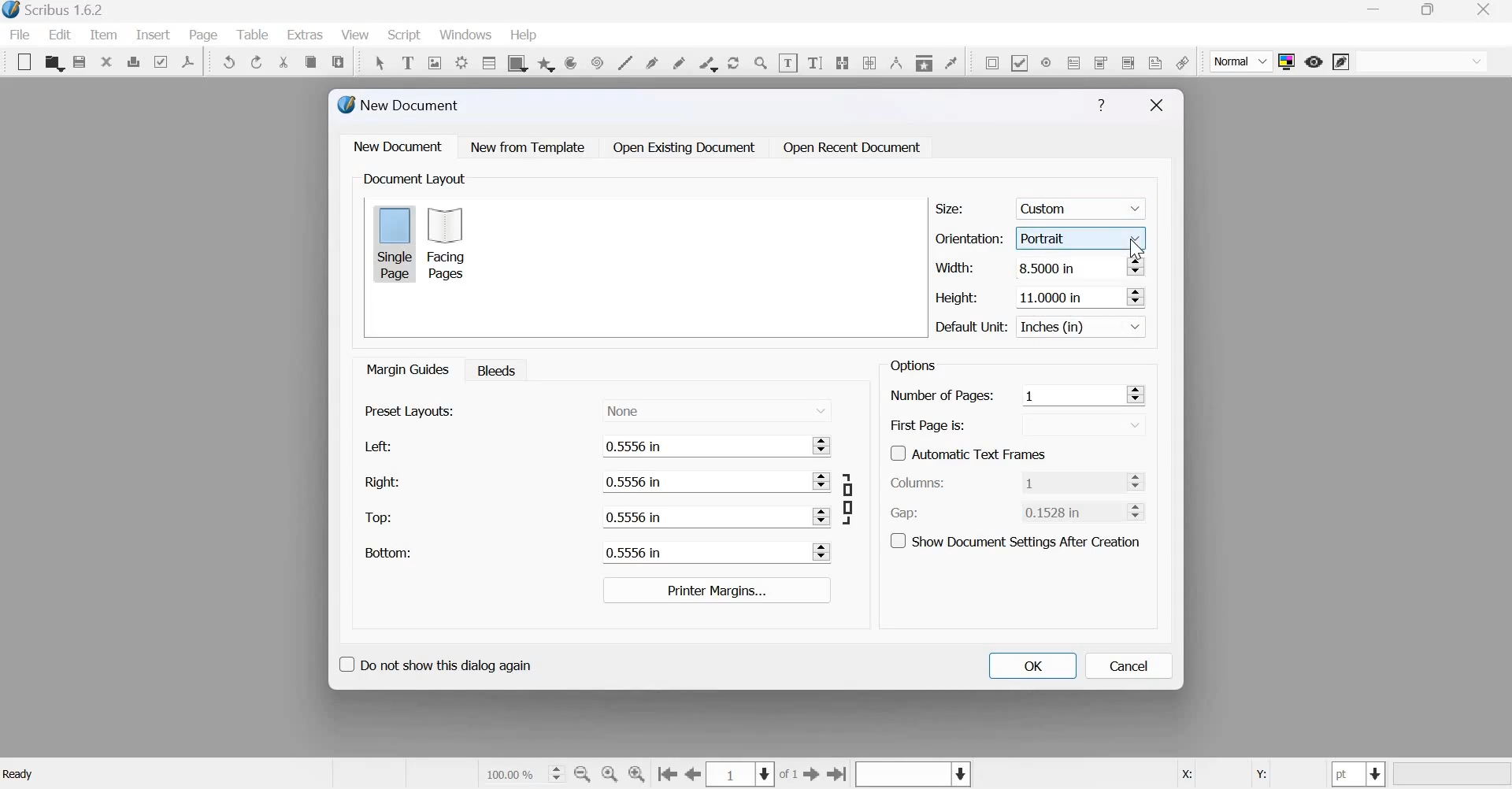 The height and width of the screenshot is (789, 1512). What do you see at coordinates (24, 35) in the screenshot?
I see `File` at bounding box center [24, 35].